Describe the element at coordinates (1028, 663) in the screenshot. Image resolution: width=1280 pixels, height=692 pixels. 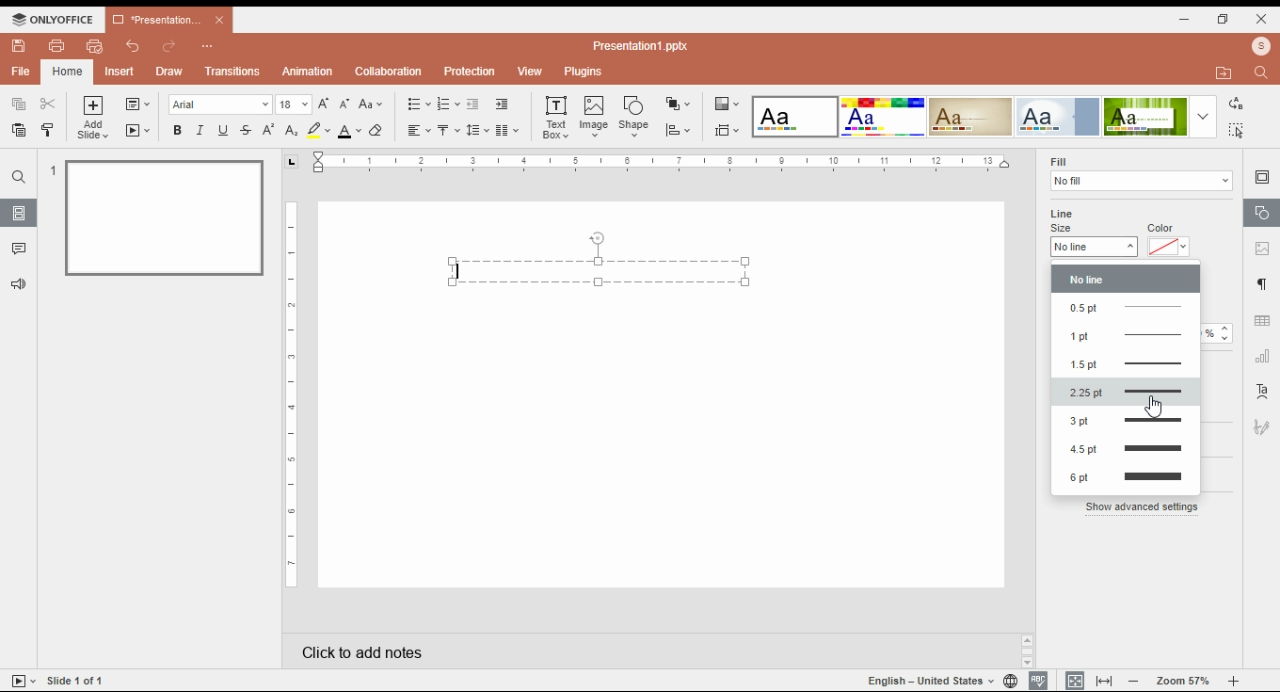
I see `scroll down` at that location.